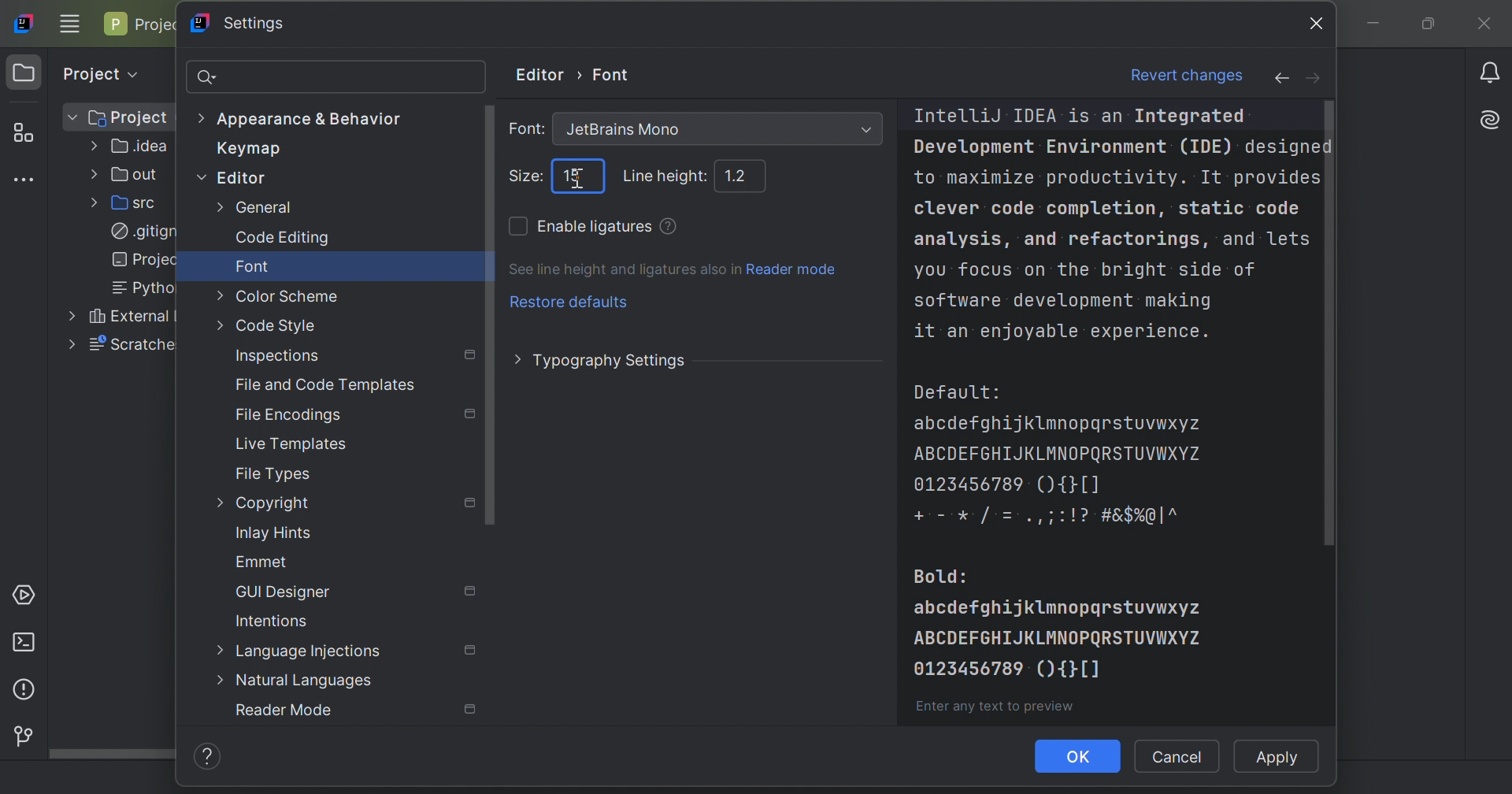 Image resolution: width=1512 pixels, height=794 pixels. I want to click on Cancel, so click(1177, 756).